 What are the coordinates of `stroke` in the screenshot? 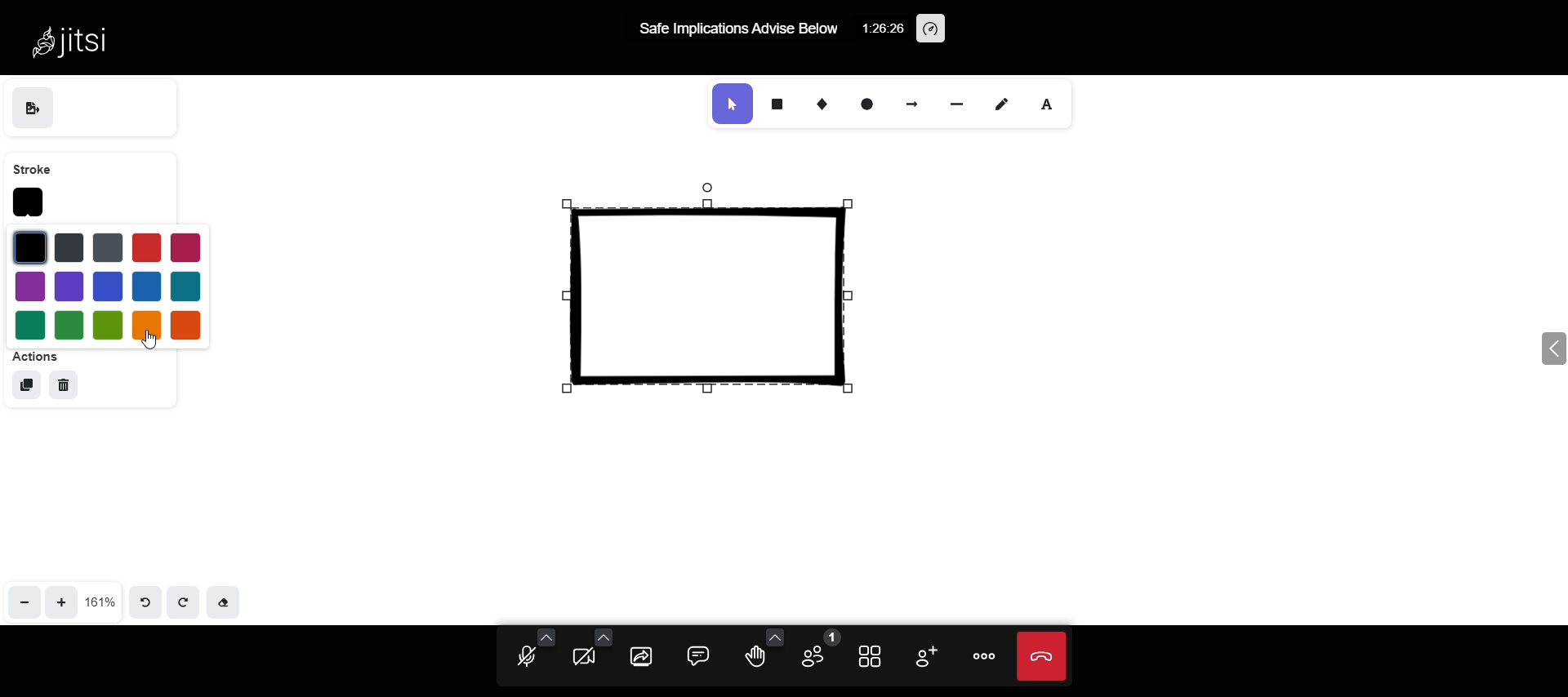 It's located at (40, 169).